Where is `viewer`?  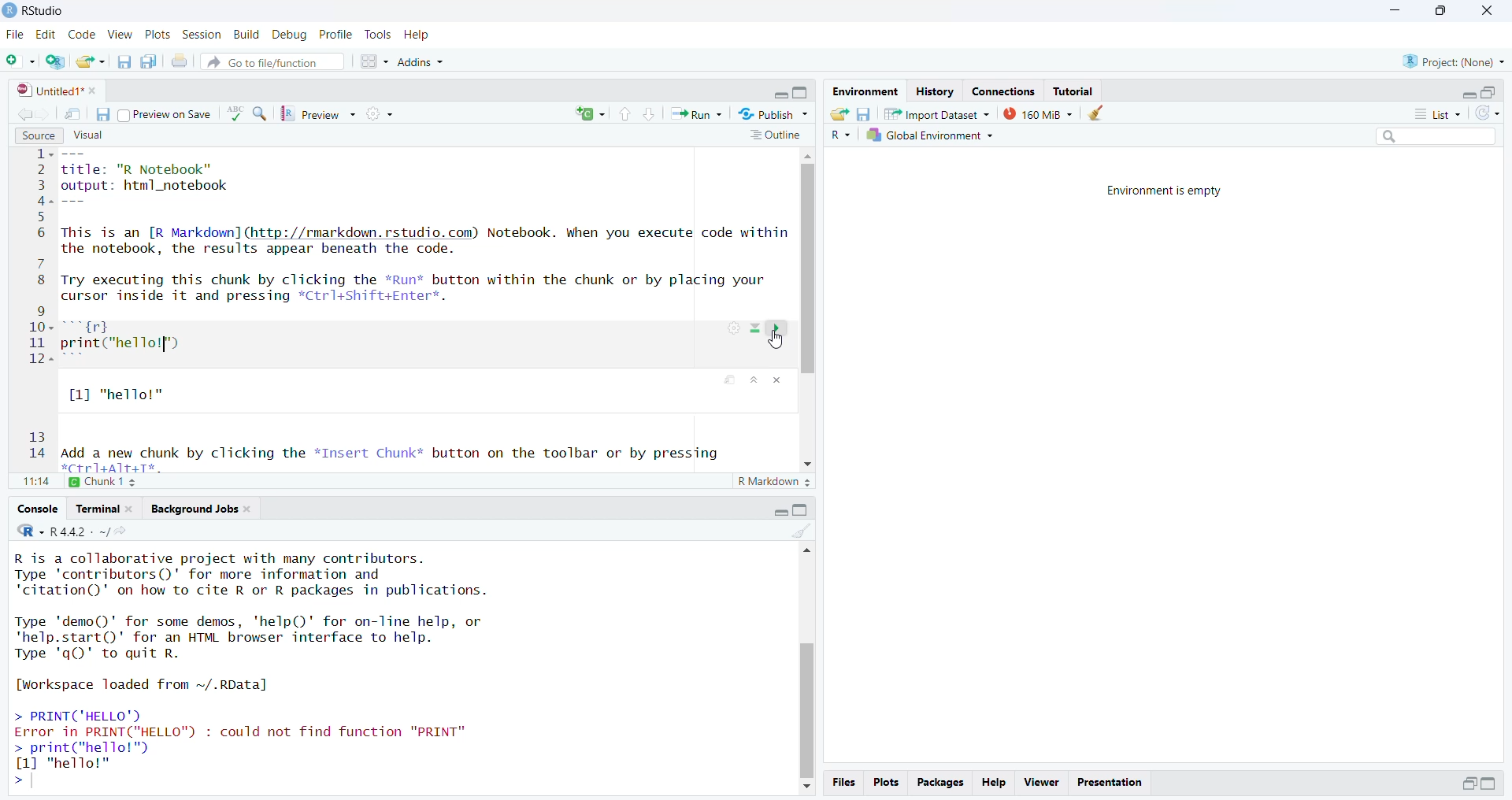 viewer is located at coordinates (1041, 783).